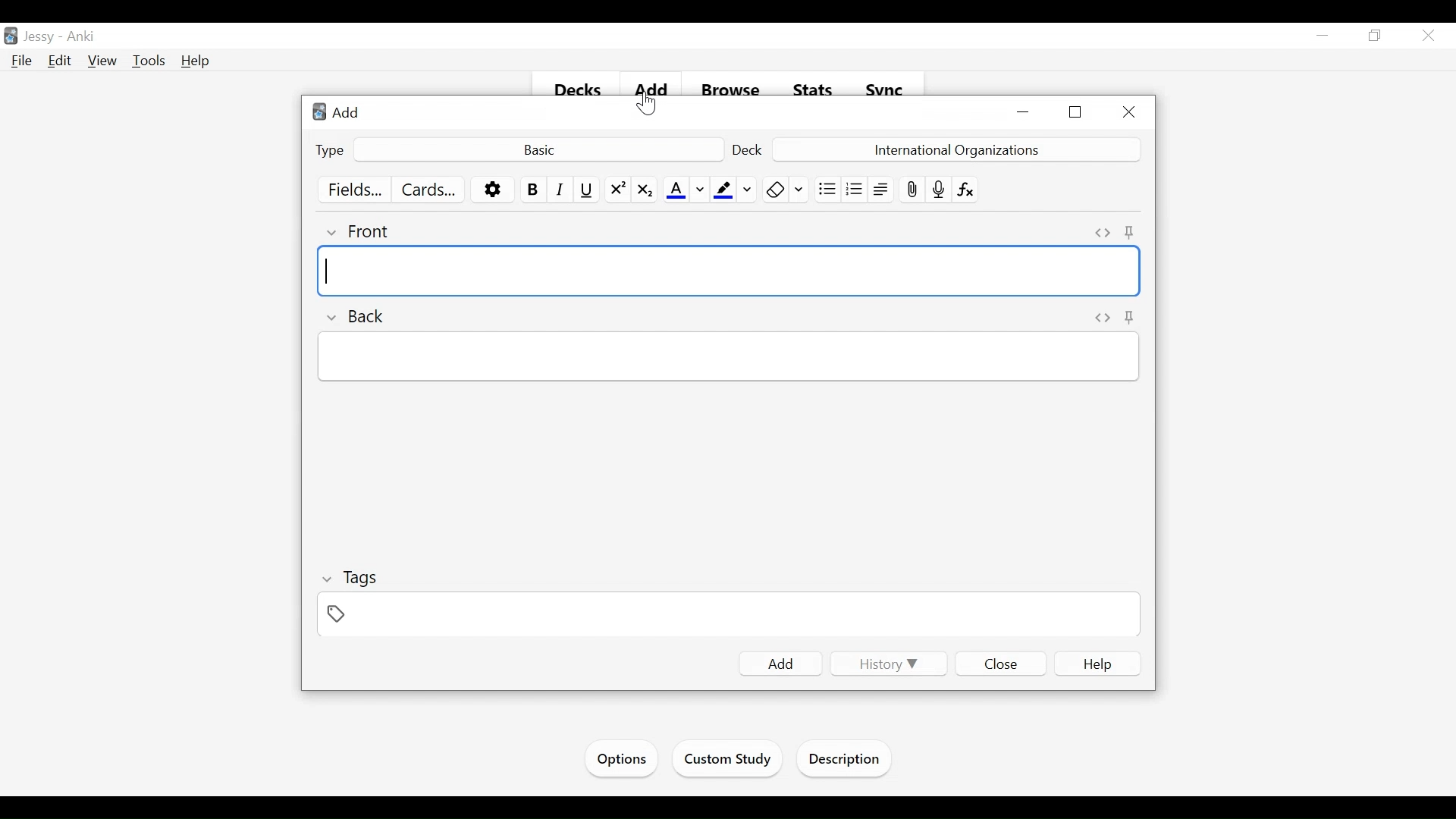 Image resolution: width=1456 pixels, height=819 pixels. Describe the element at coordinates (622, 759) in the screenshot. I see `Options` at that location.